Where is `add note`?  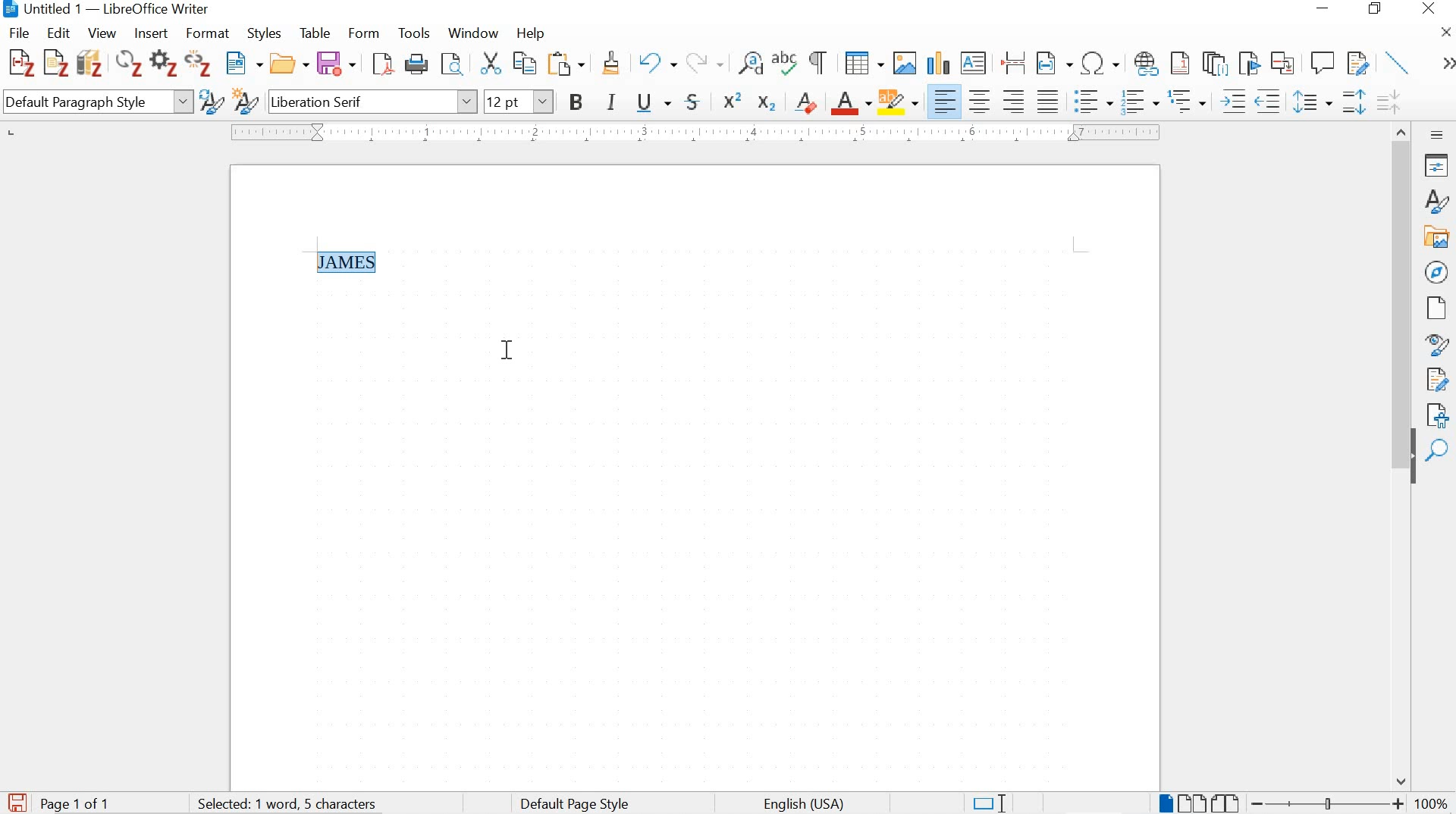 add note is located at coordinates (56, 61).